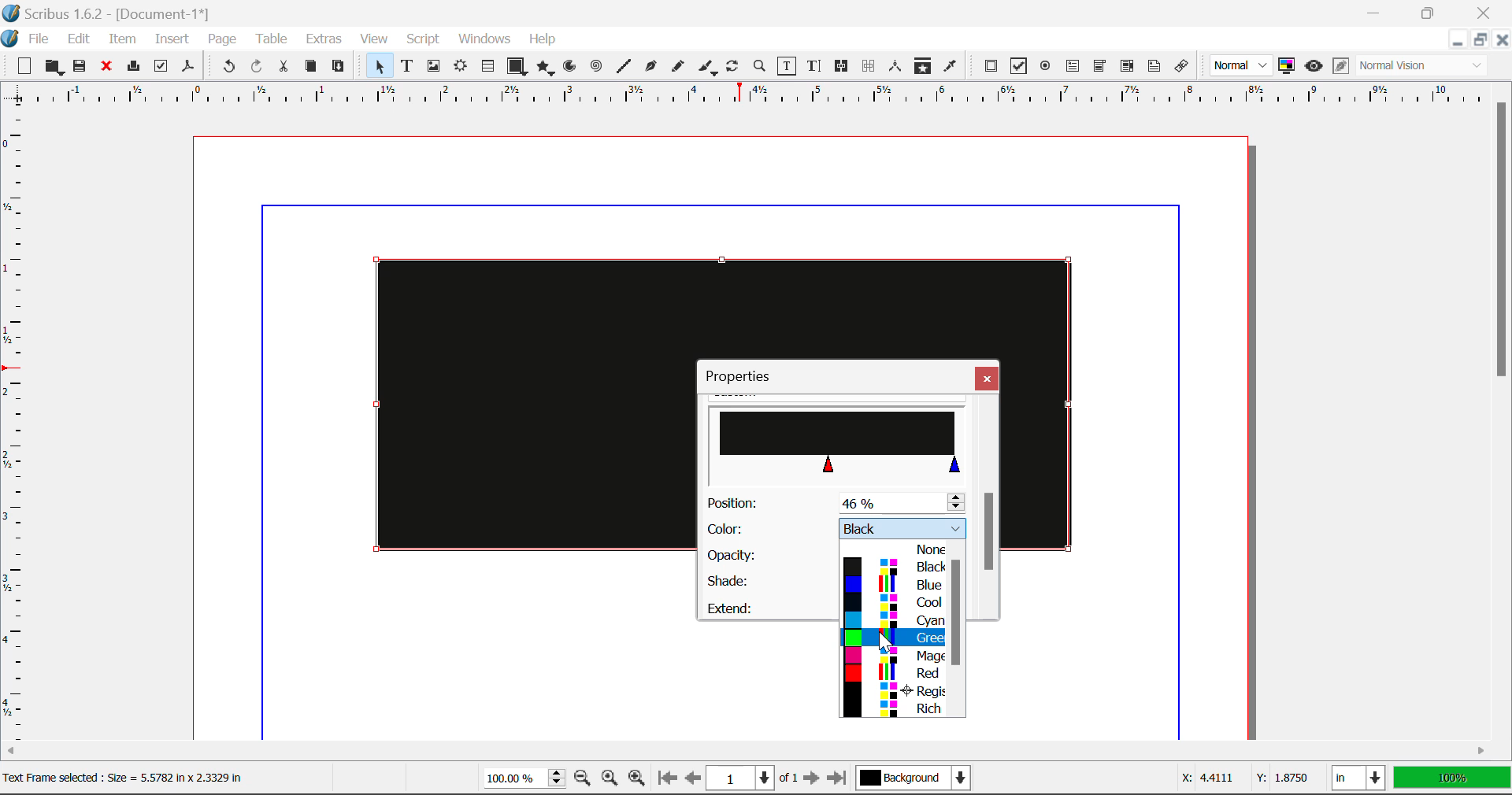 The image size is (1512, 795). Describe the element at coordinates (839, 439) in the screenshot. I see `Gradient Slider` at that location.